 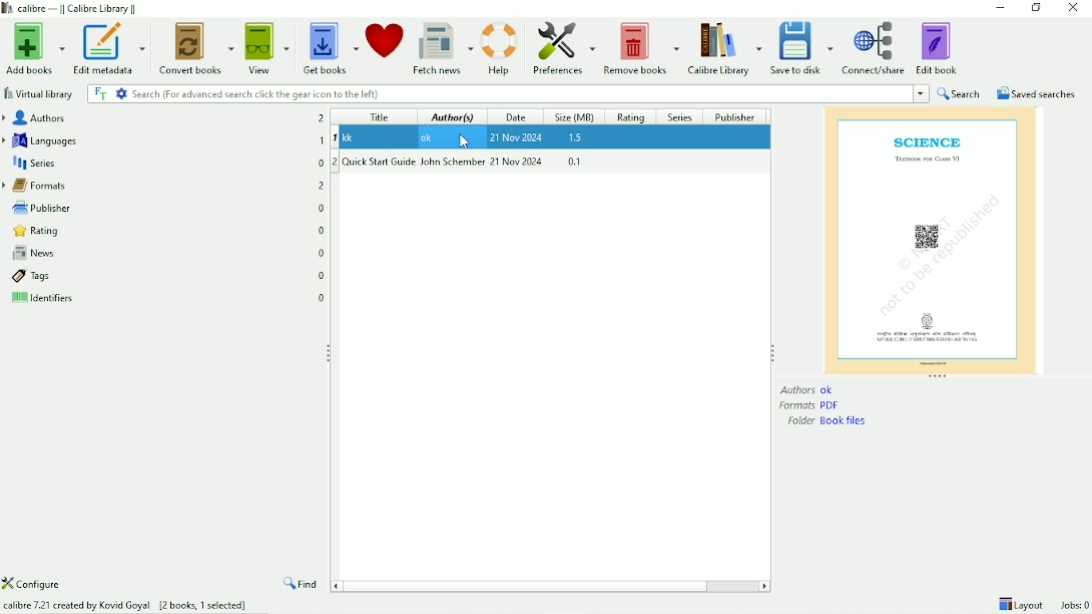 I want to click on Edit book, so click(x=937, y=48).